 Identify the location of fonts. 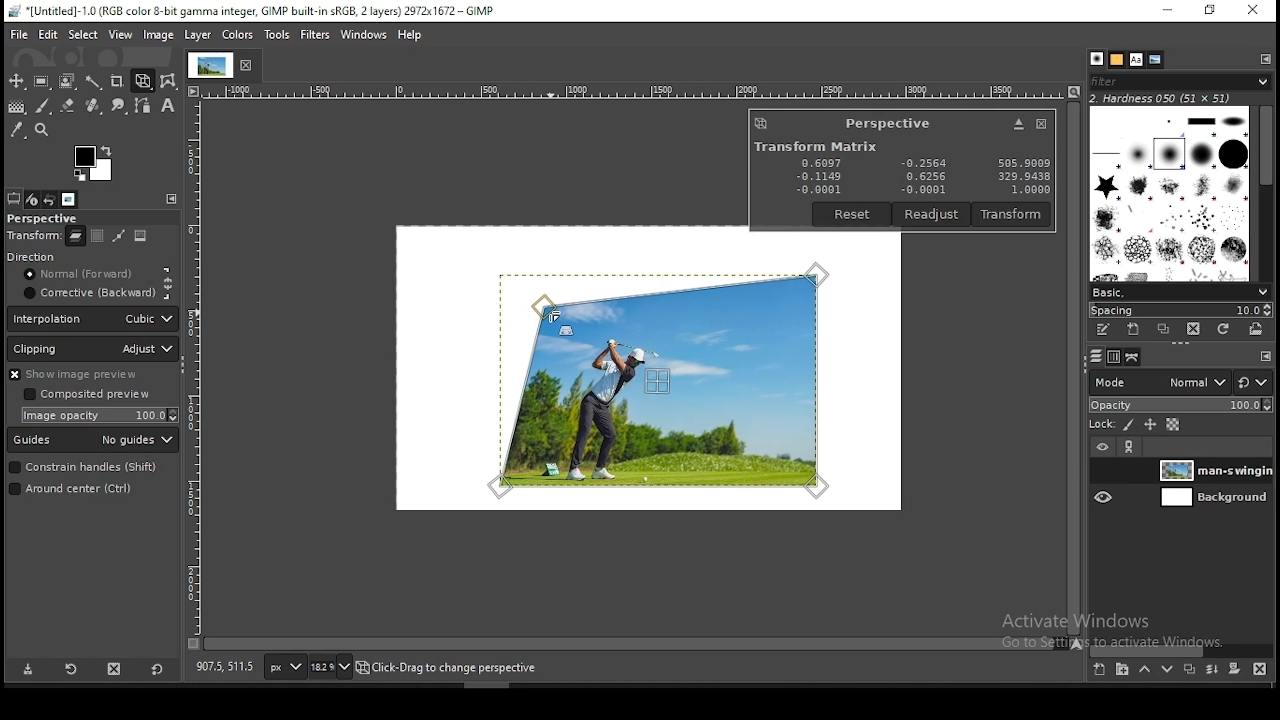
(1135, 58).